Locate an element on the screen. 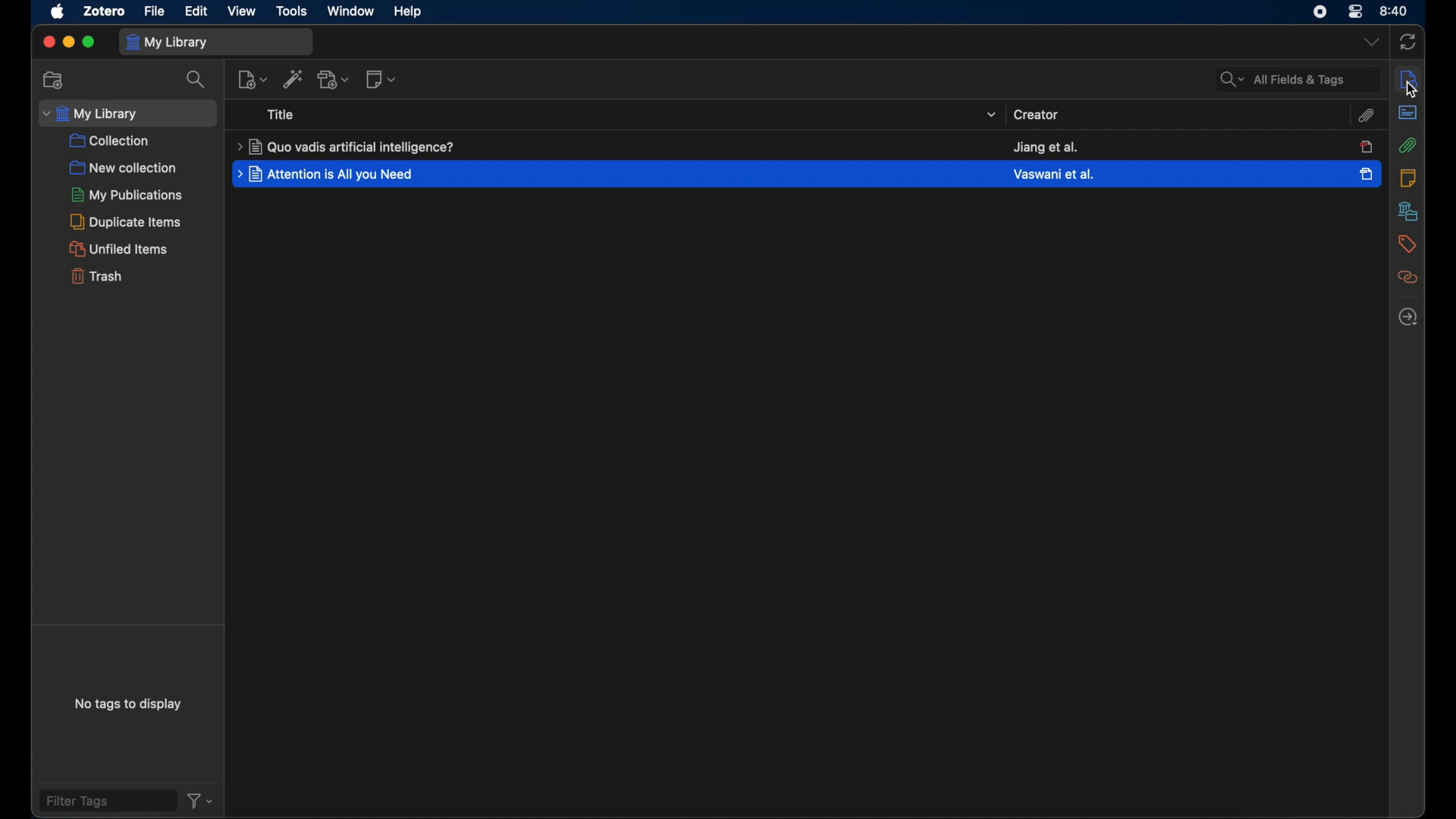  edit is located at coordinates (196, 13).